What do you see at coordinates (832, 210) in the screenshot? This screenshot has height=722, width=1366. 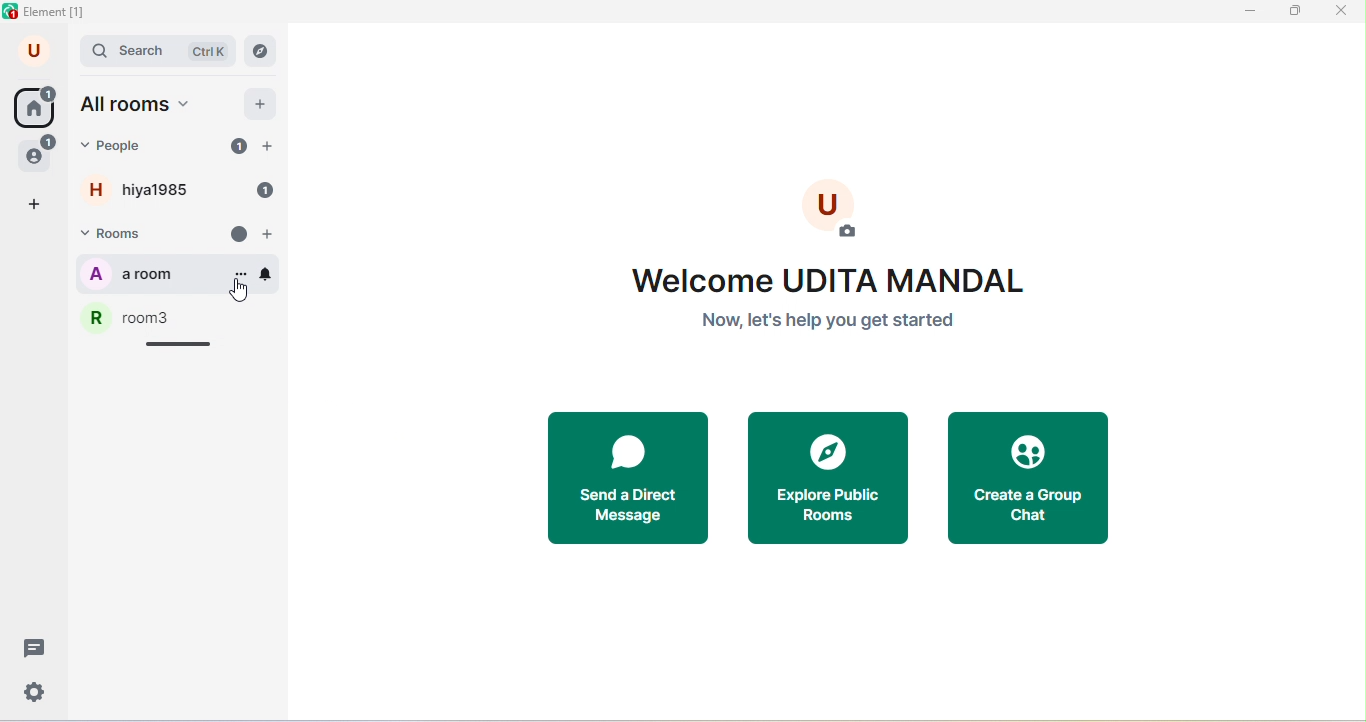 I see `add photo` at bounding box center [832, 210].